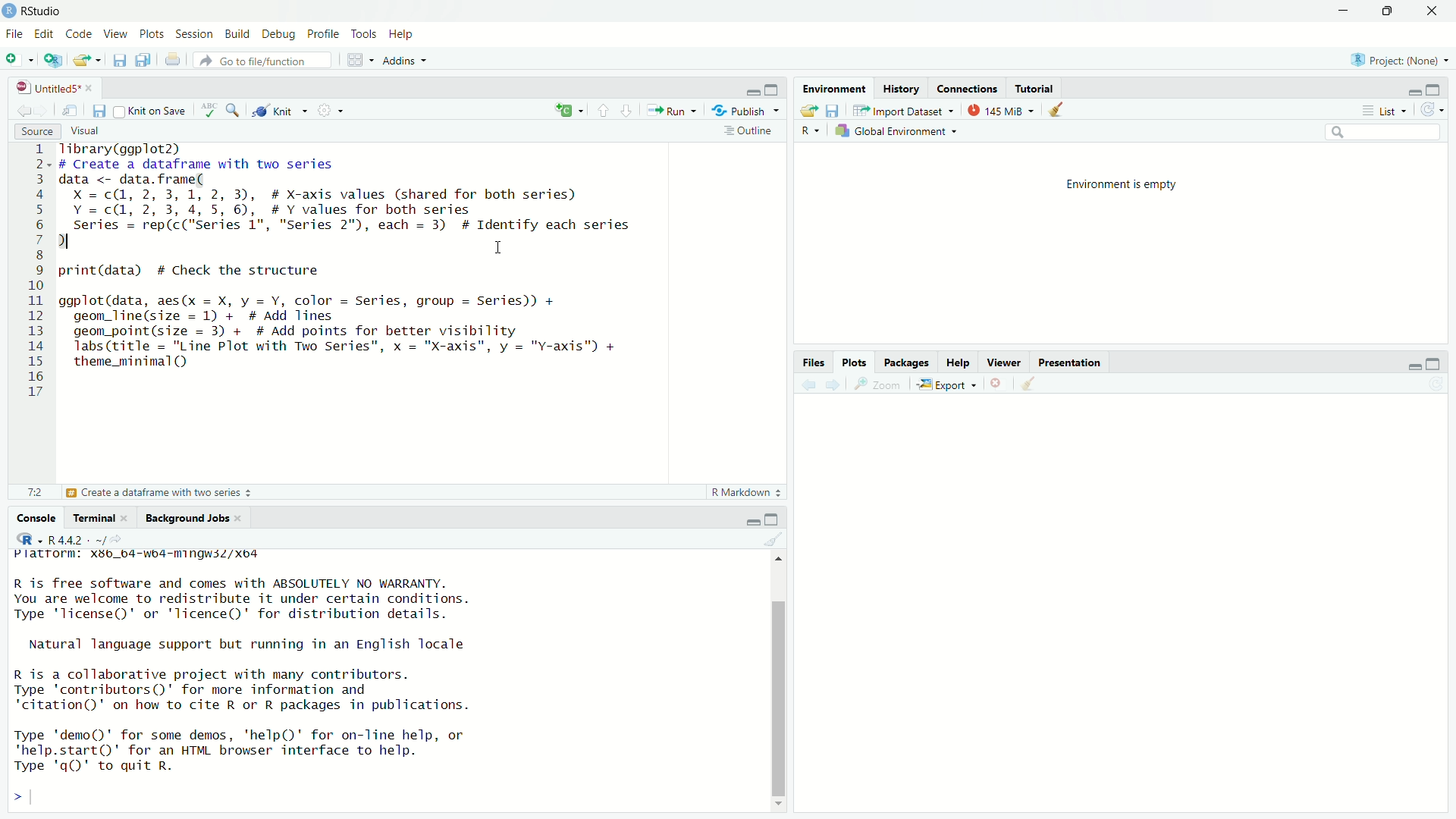  Describe the element at coordinates (751, 91) in the screenshot. I see `Minimize` at that location.